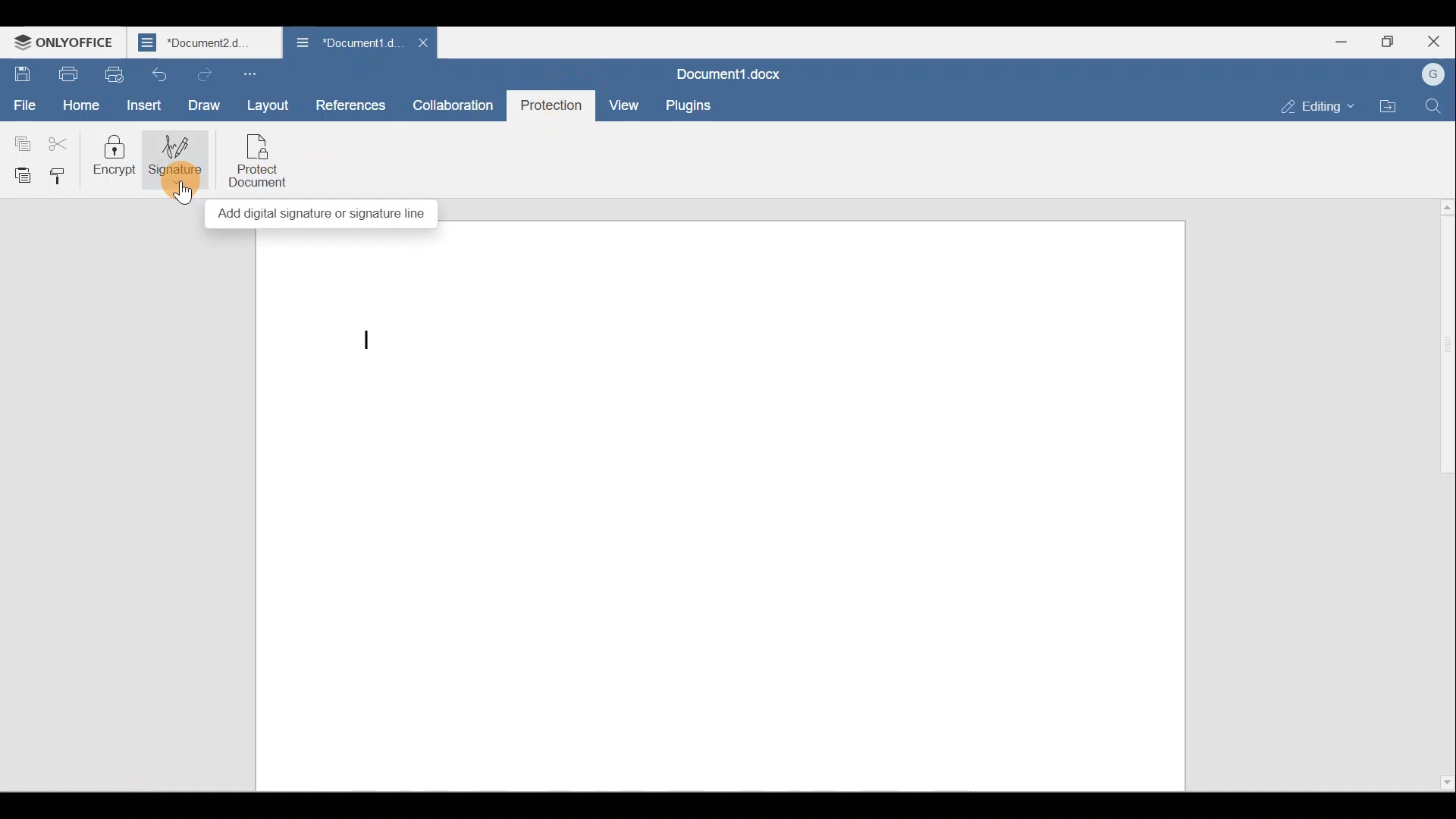  Describe the element at coordinates (717, 510) in the screenshot. I see `Working area` at that location.